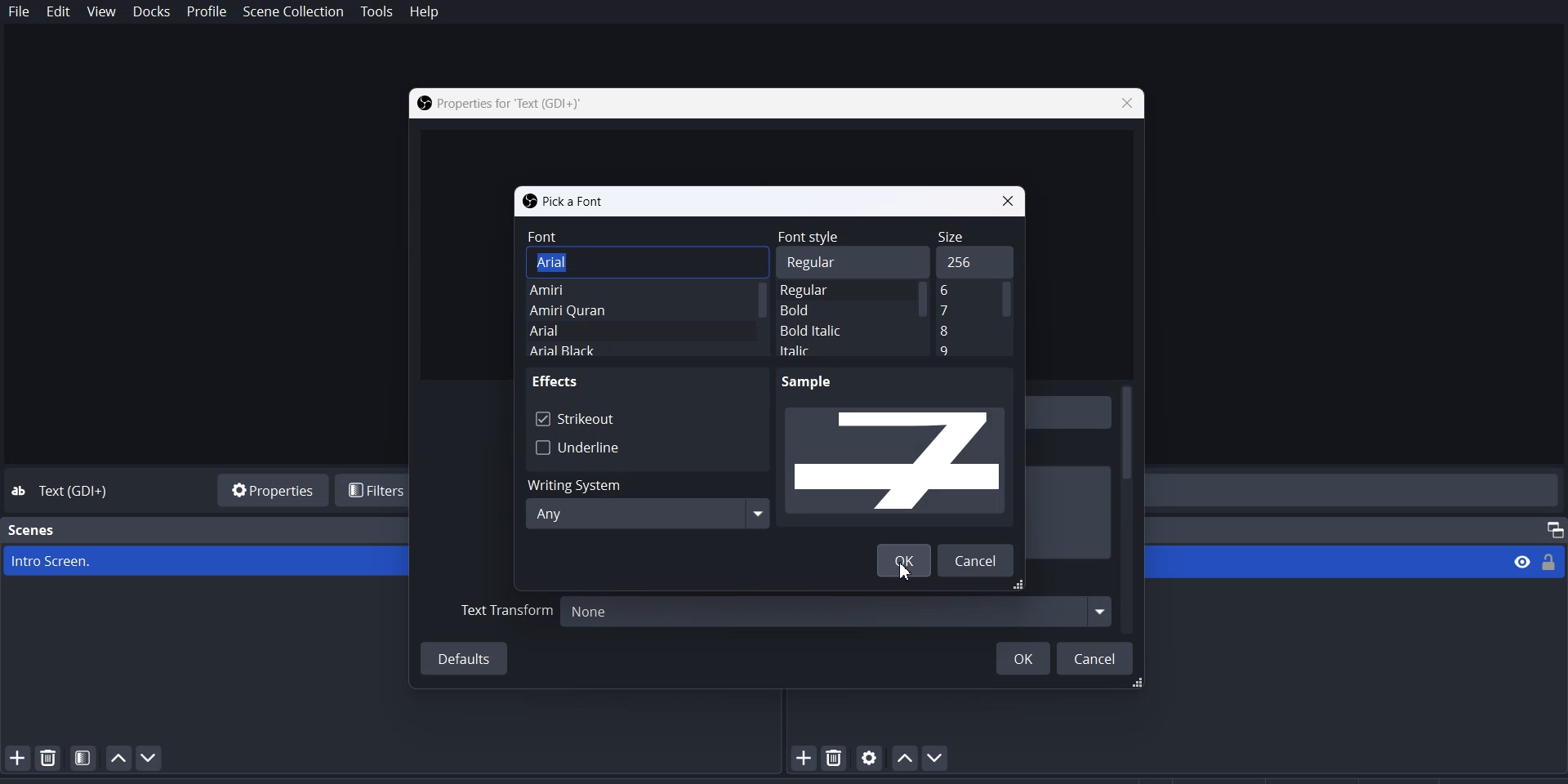  I want to click on Pick a Font, so click(563, 200).